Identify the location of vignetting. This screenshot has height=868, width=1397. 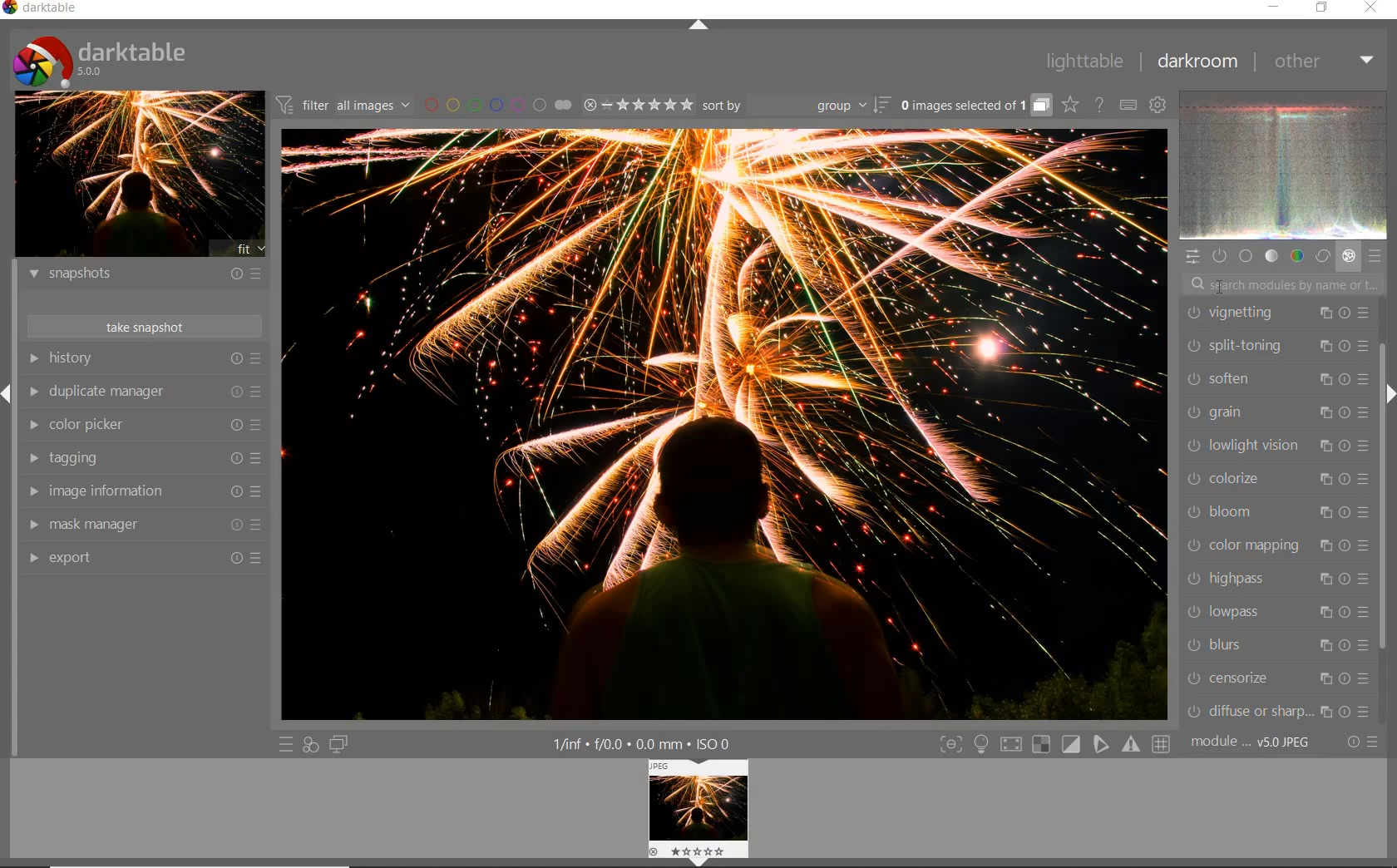
(1279, 313).